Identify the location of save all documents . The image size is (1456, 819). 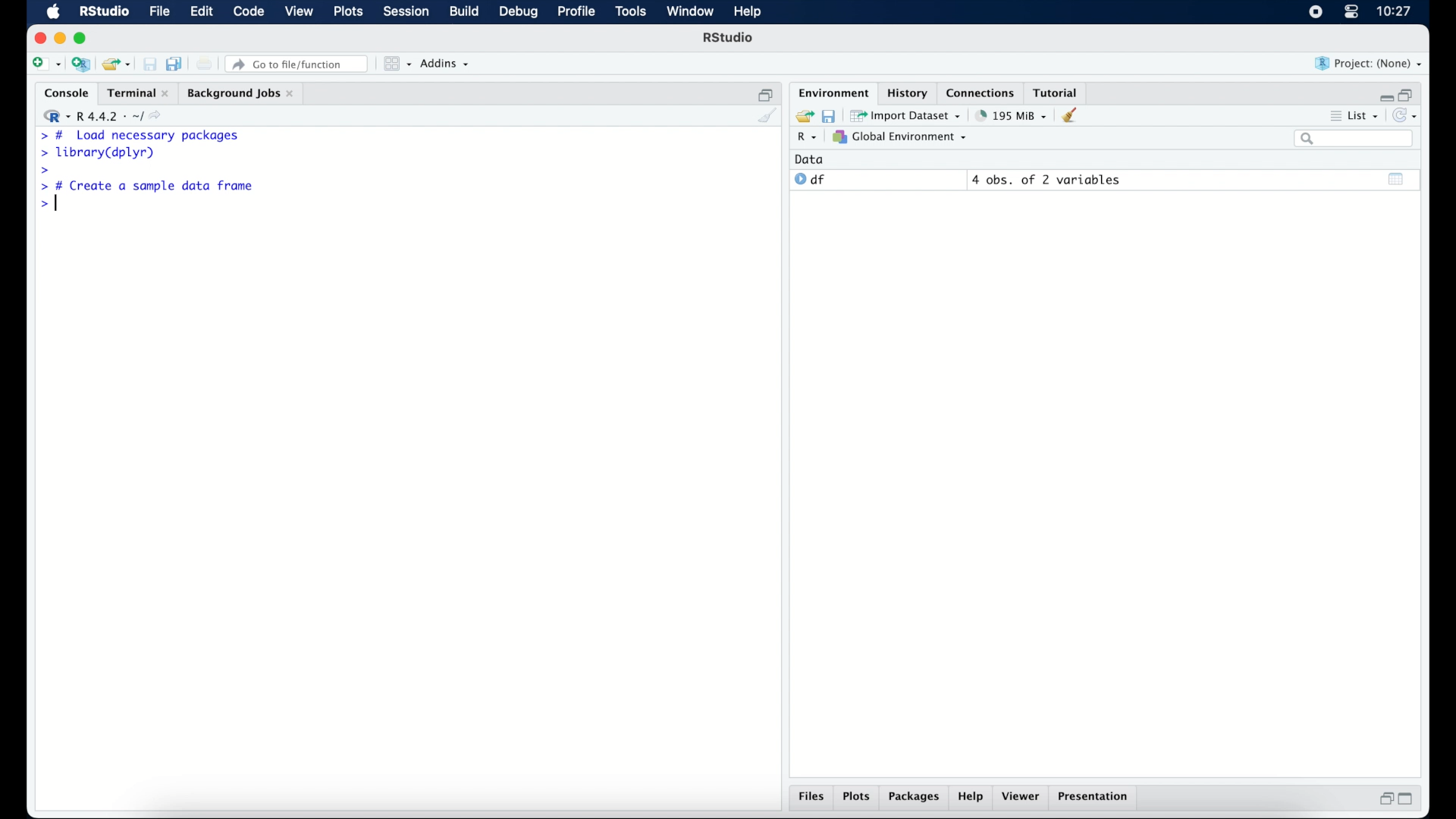
(176, 63).